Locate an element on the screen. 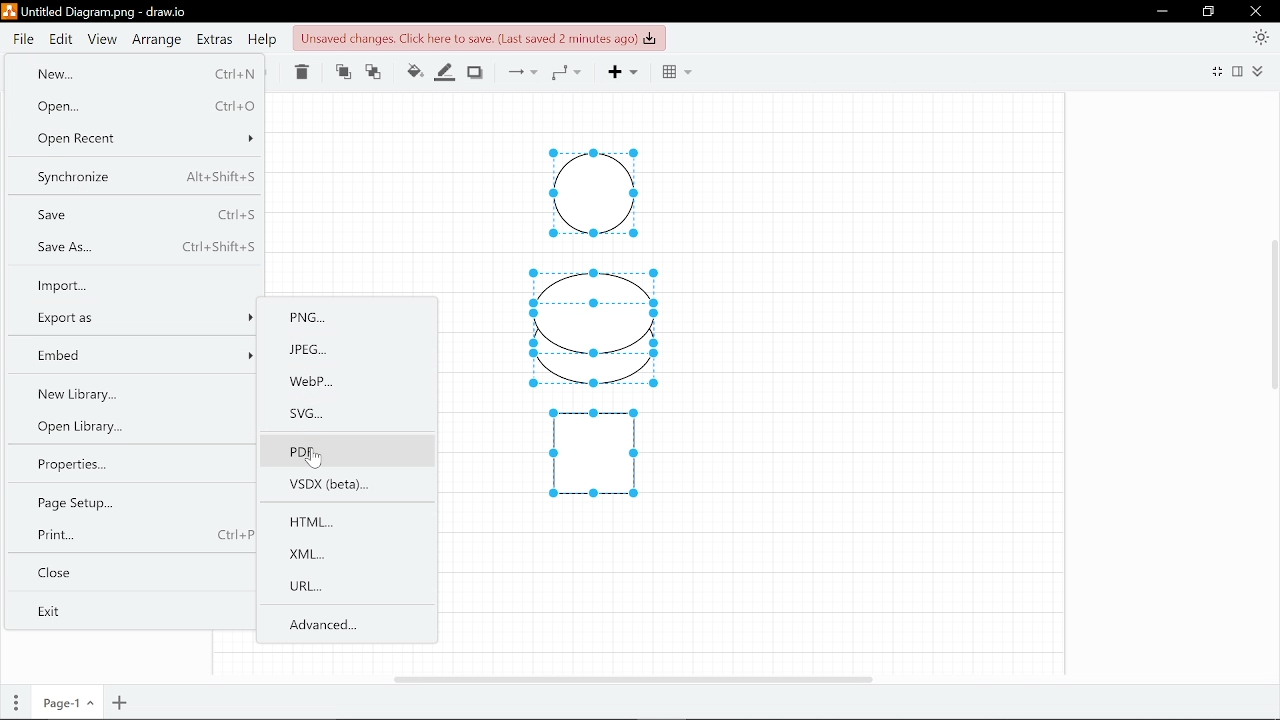 Image resolution: width=1280 pixels, height=720 pixels. Add  is located at coordinates (618, 72).